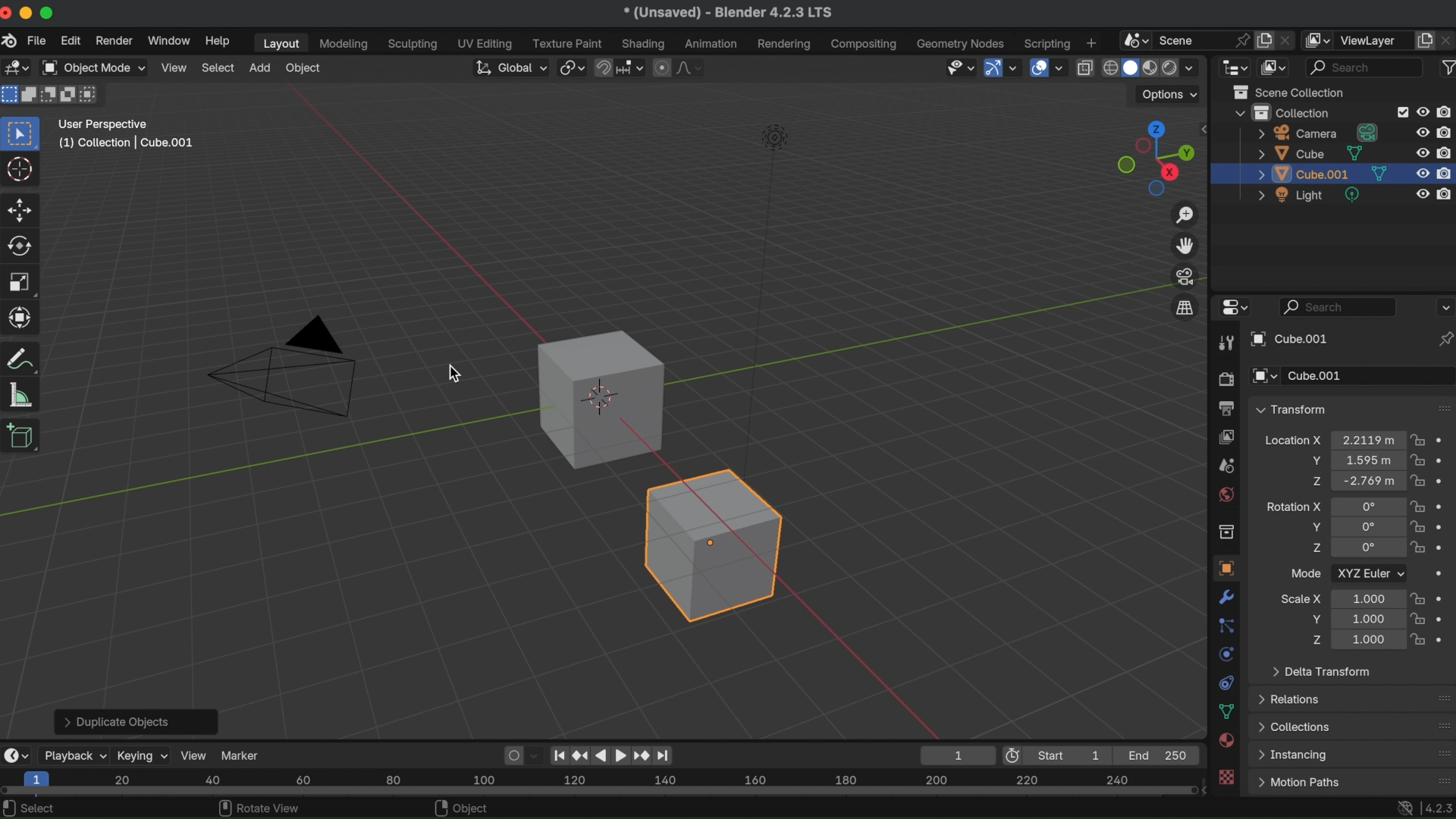 This screenshot has height=819, width=1456. I want to click on animate property, so click(1442, 598).